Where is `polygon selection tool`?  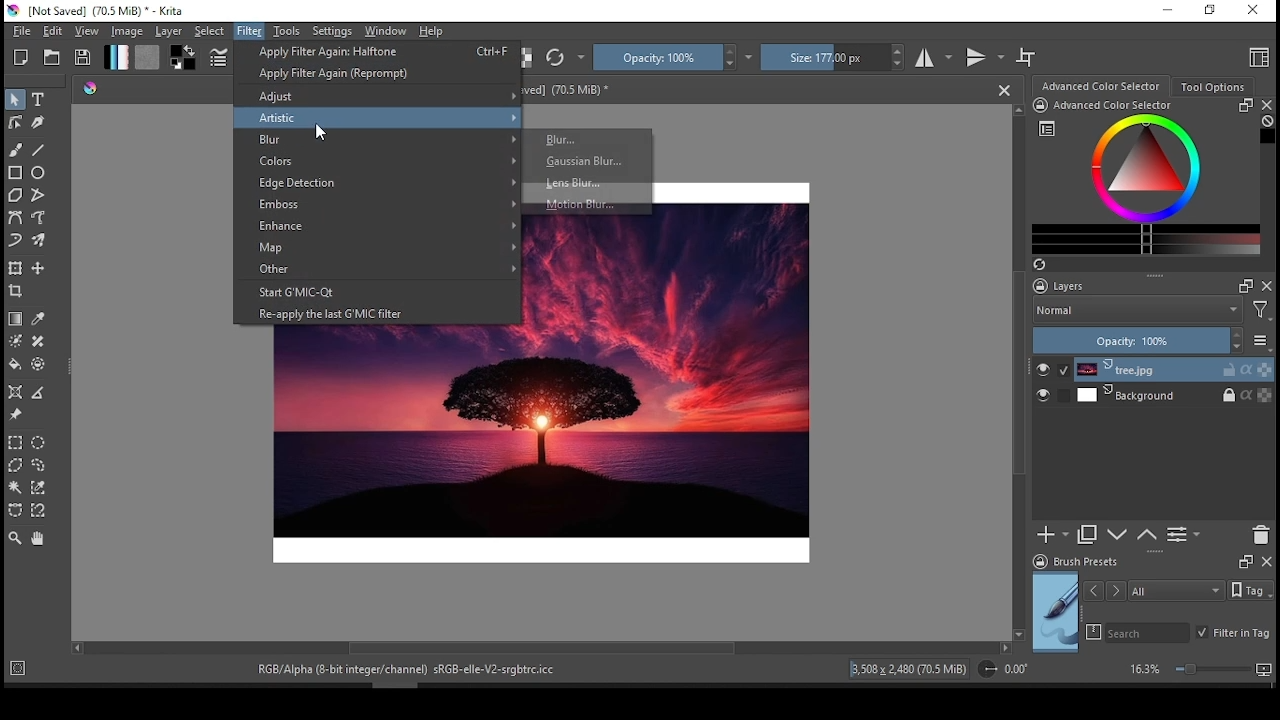 polygon selection tool is located at coordinates (18, 465).